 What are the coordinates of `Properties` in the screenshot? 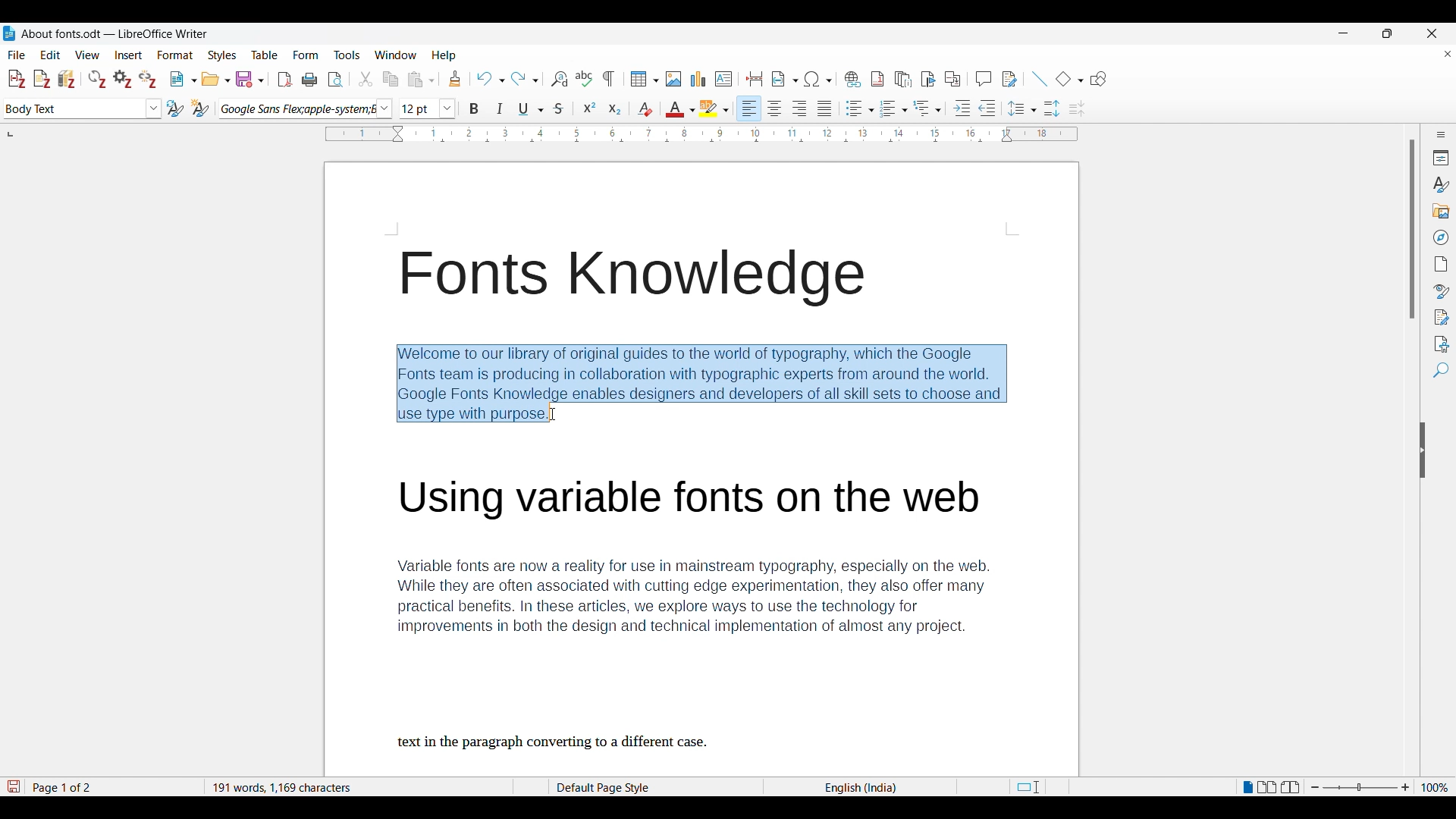 It's located at (1442, 158).